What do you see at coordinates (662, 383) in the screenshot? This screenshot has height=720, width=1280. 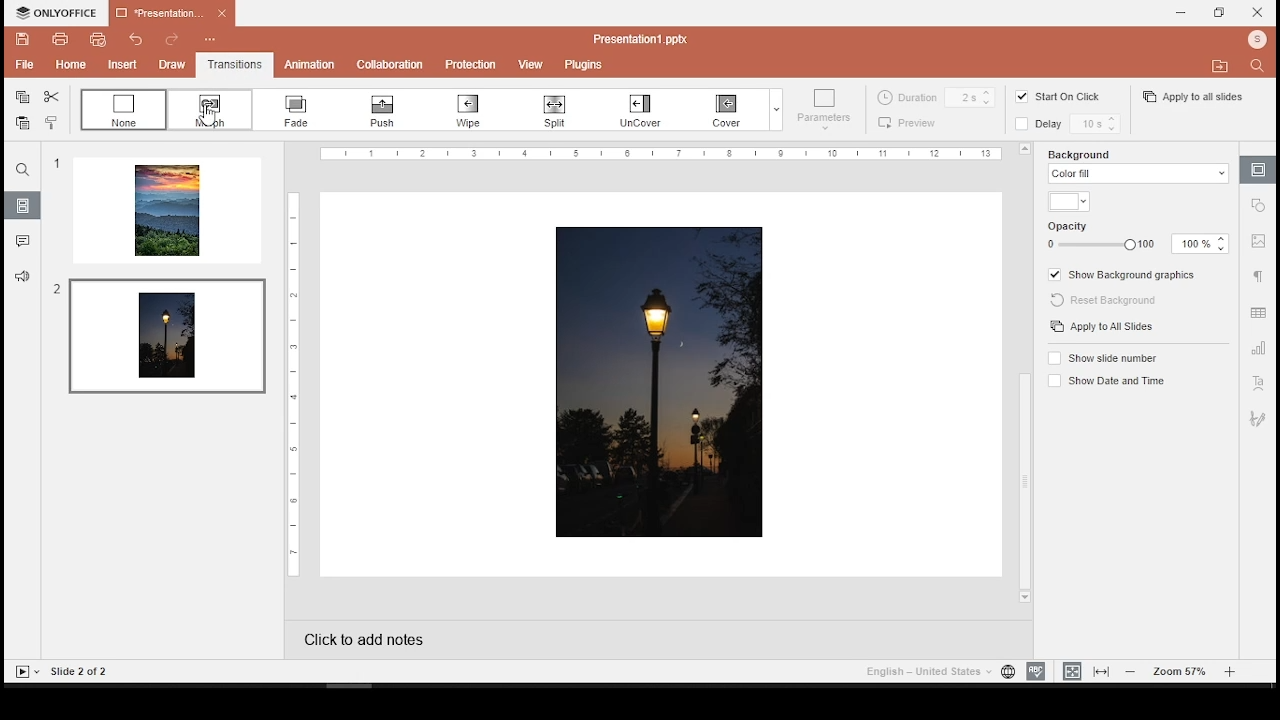 I see `image` at bounding box center [662, 383].